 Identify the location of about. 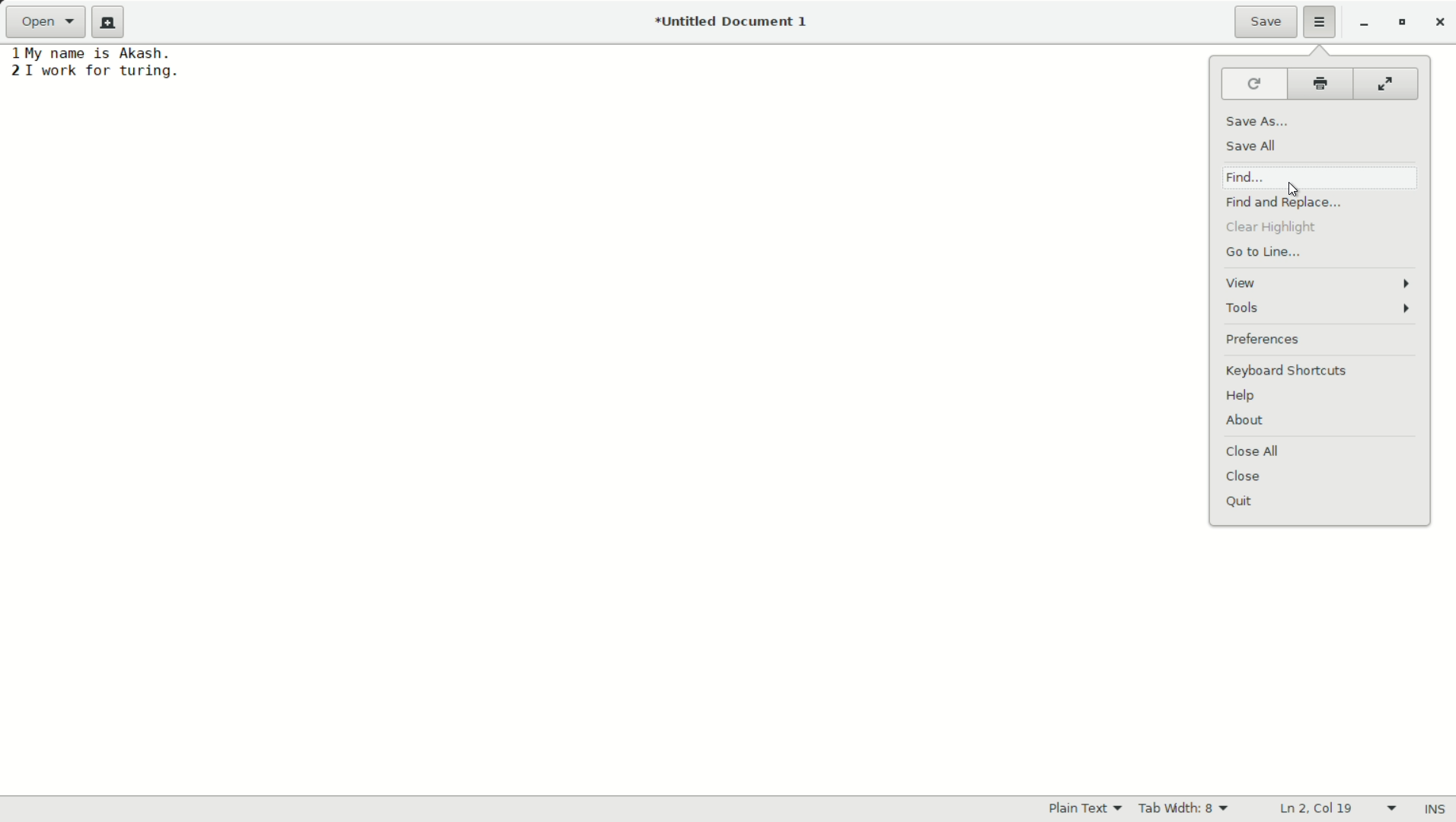
(1244, 421).